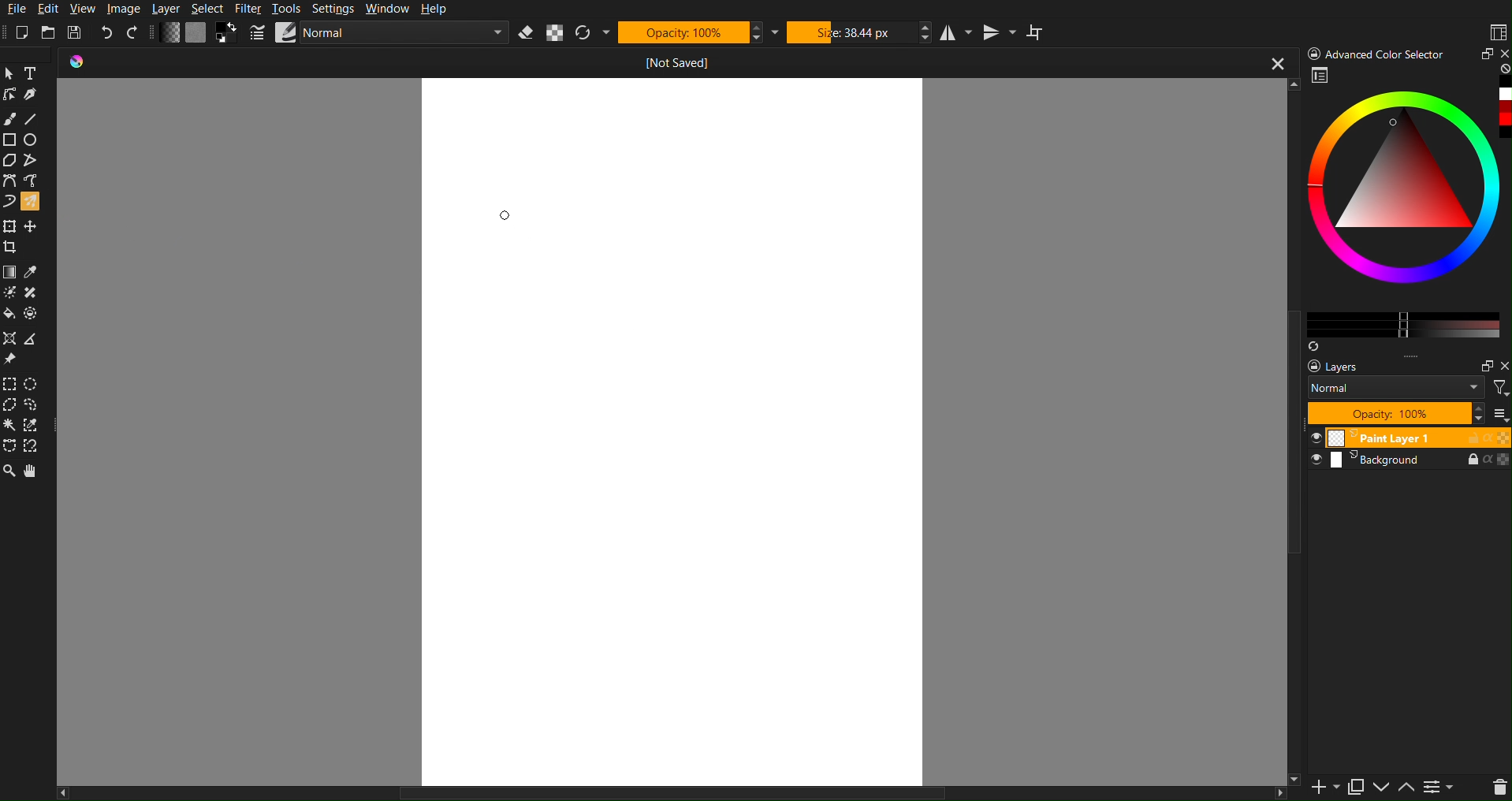 The height and width of the screenshot is (801, 1512). Describe the element at coordinates (35, 140) in the screenshot. I see `Eclipse` at that location.